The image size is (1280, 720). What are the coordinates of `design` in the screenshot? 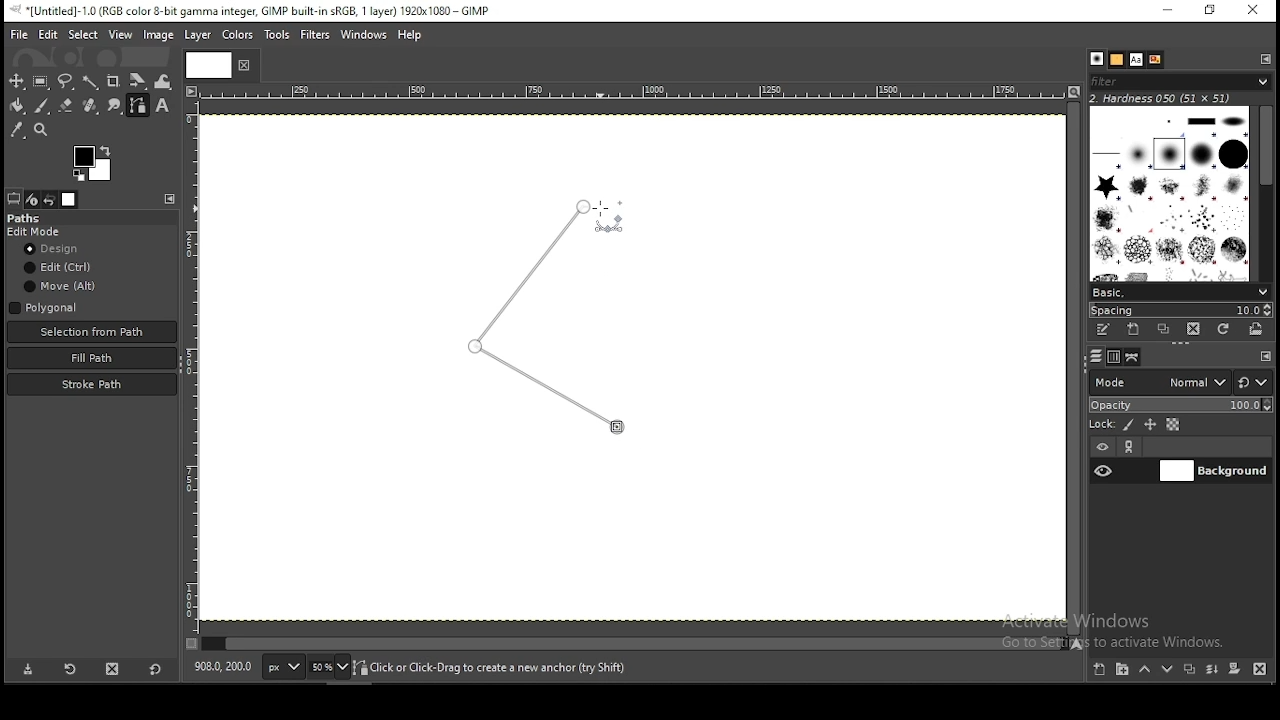 It's located at (56, 248).